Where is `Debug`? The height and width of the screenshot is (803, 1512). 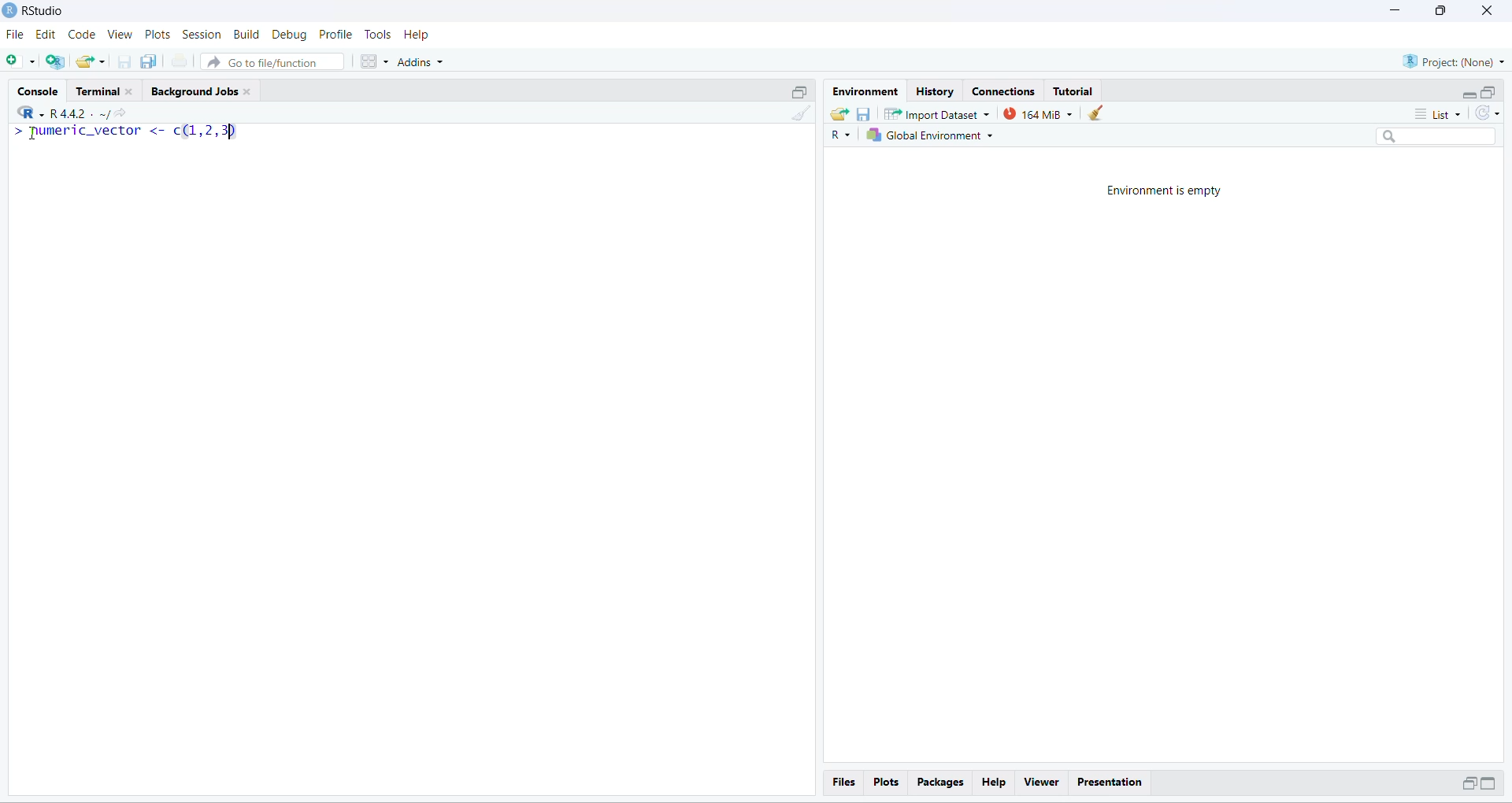 Debug is located at coordinates (290, 35).